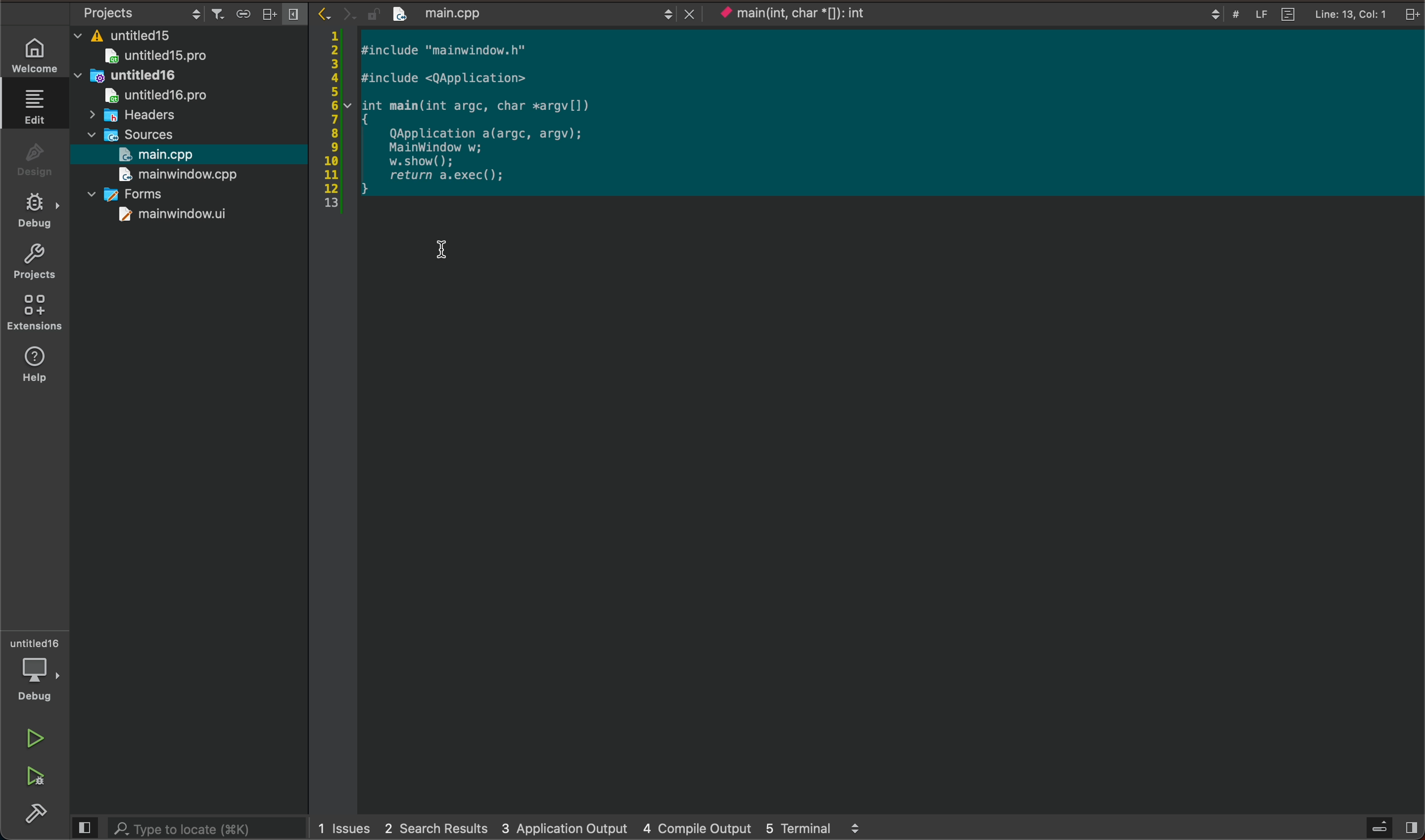 Image resolution: width=1425 pixels, height=840 pixels. Describe the element at coordinates (40, 212) in the screenshot. I see `debug` at that location.